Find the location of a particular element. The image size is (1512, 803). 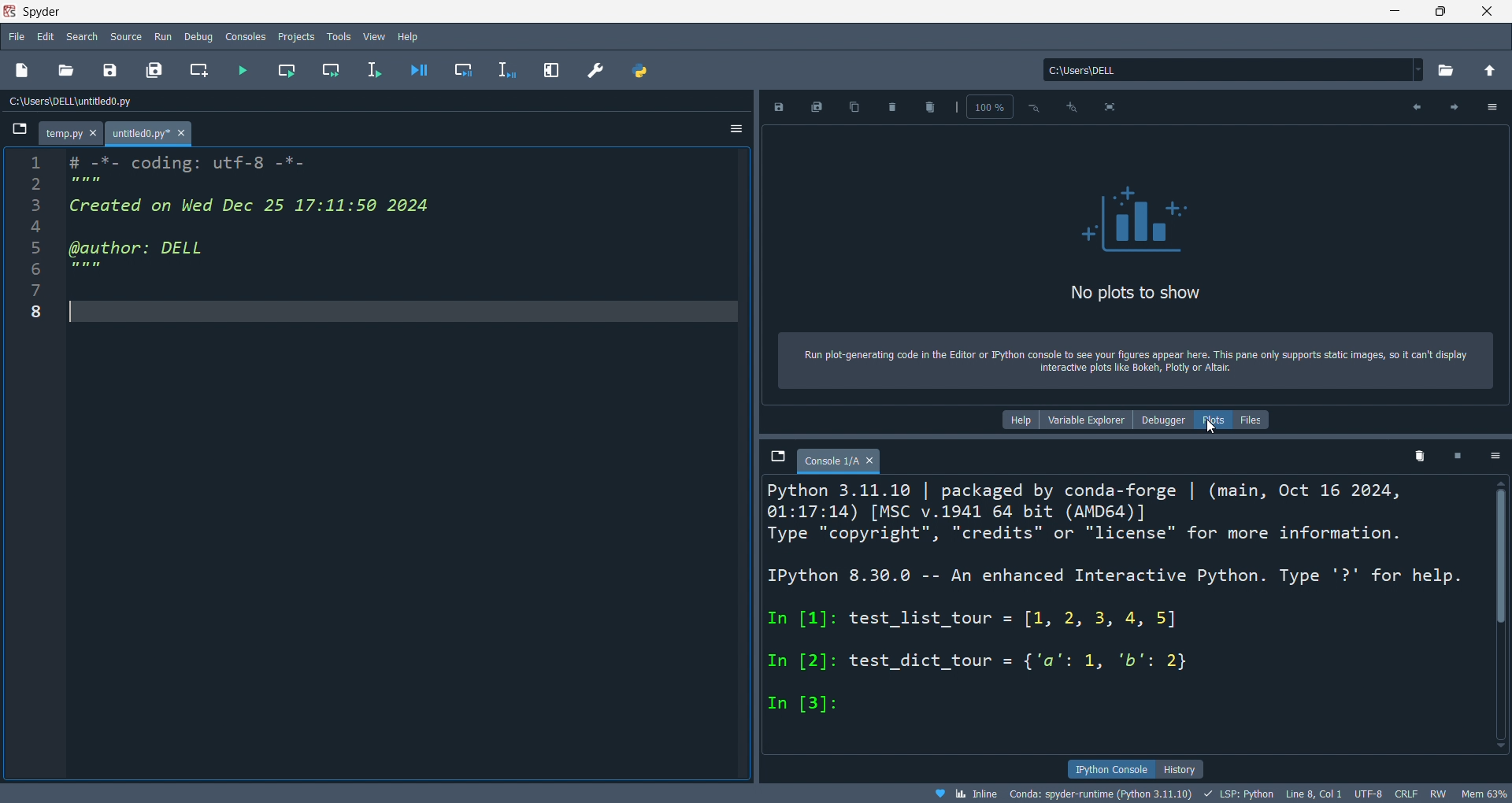

editor pane is located at coordinates (406, 462).